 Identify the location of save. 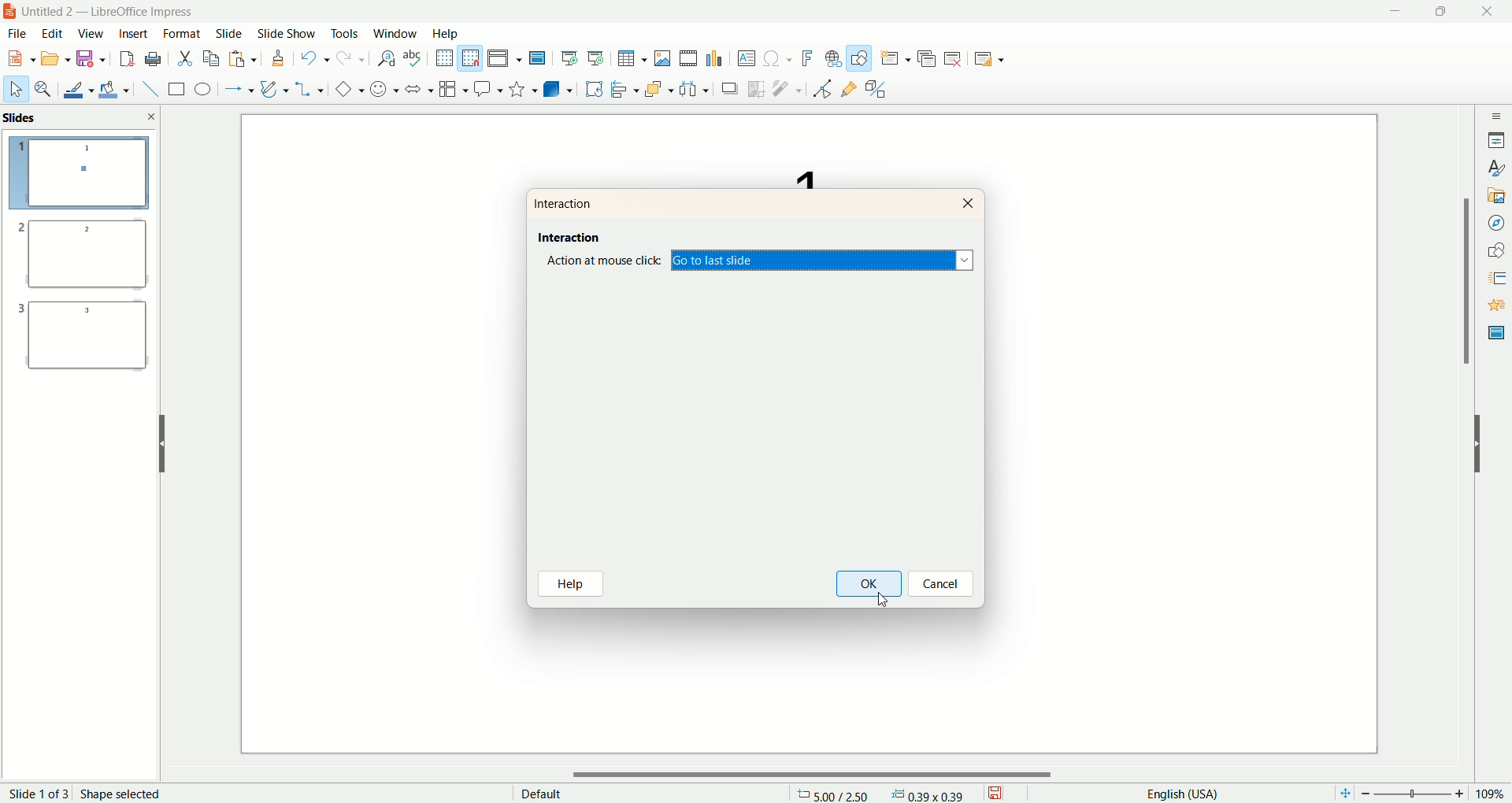
(999, 791).